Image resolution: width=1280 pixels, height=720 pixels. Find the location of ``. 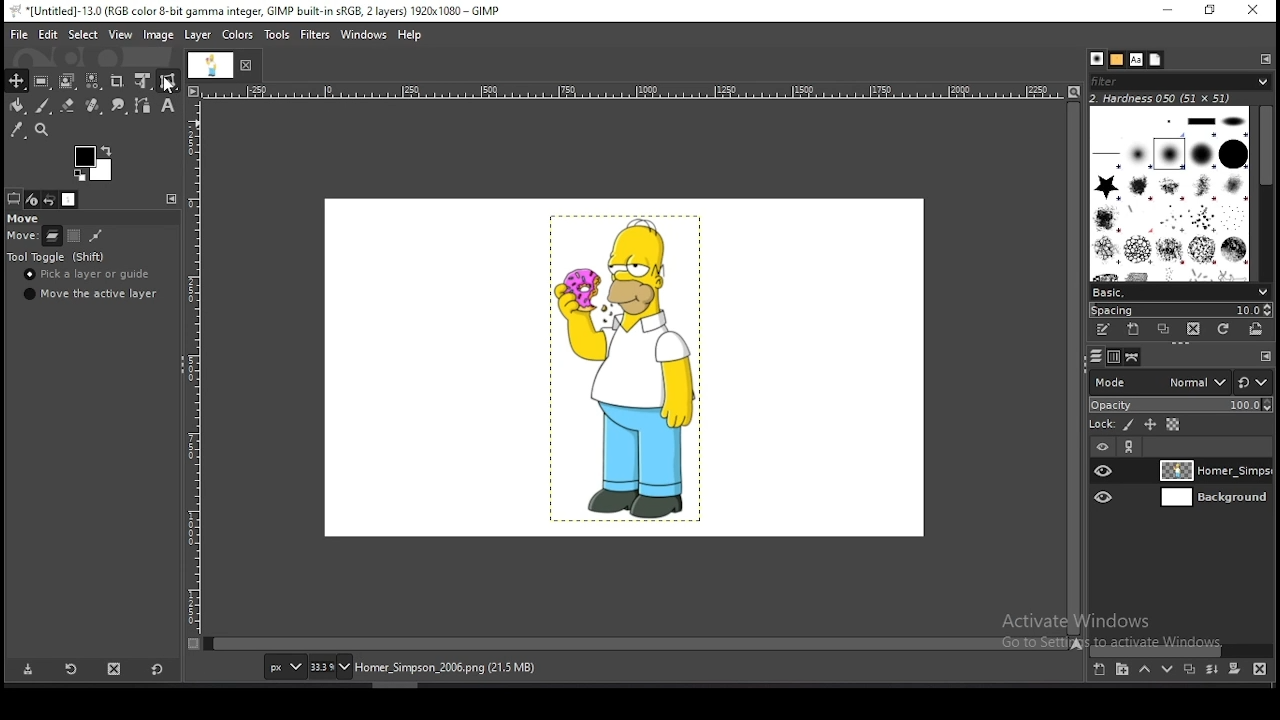

 is located at coordinates (1267, 356).